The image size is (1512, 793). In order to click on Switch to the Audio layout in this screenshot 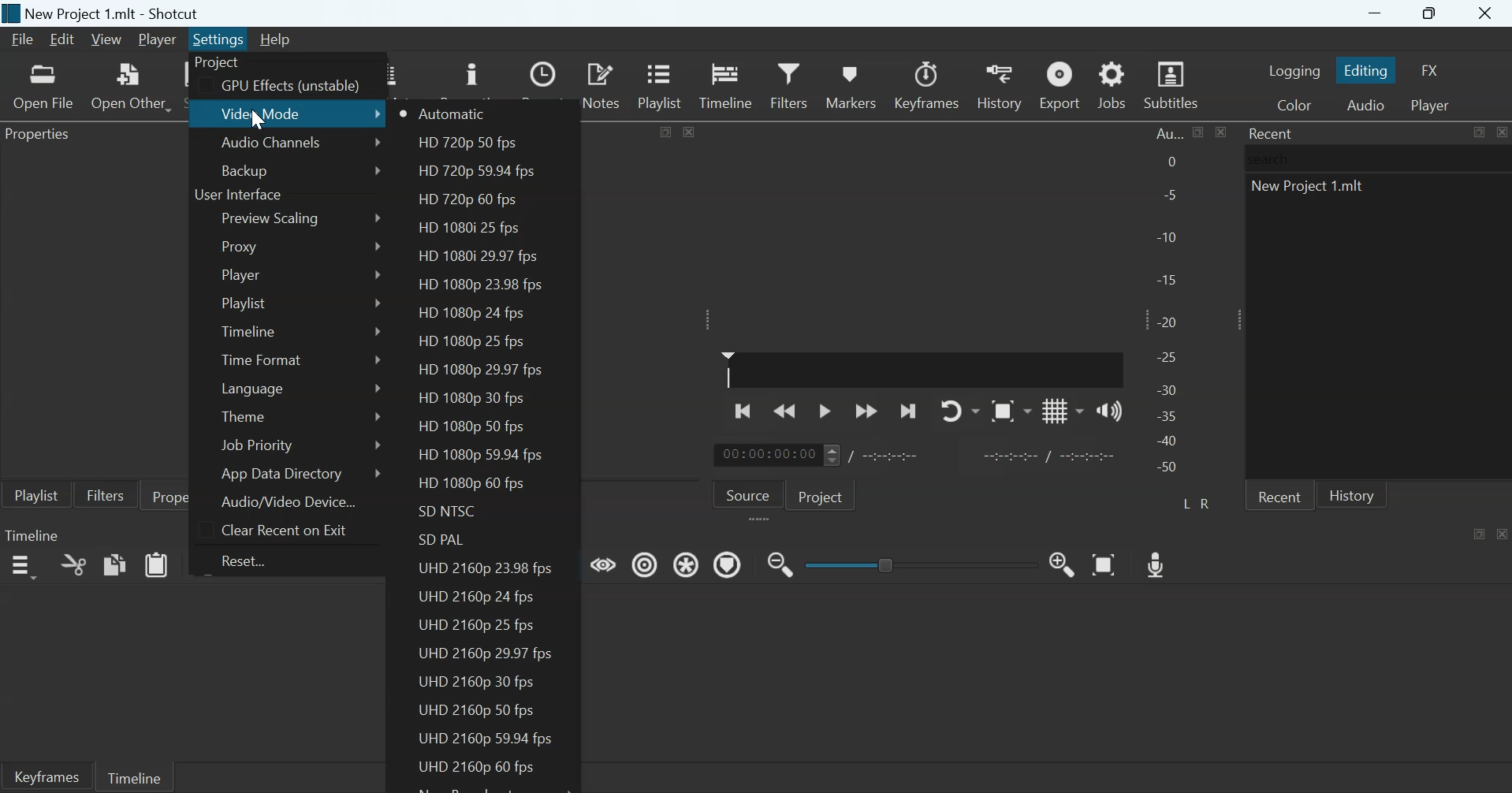, I will do `click(1365, 104)`.